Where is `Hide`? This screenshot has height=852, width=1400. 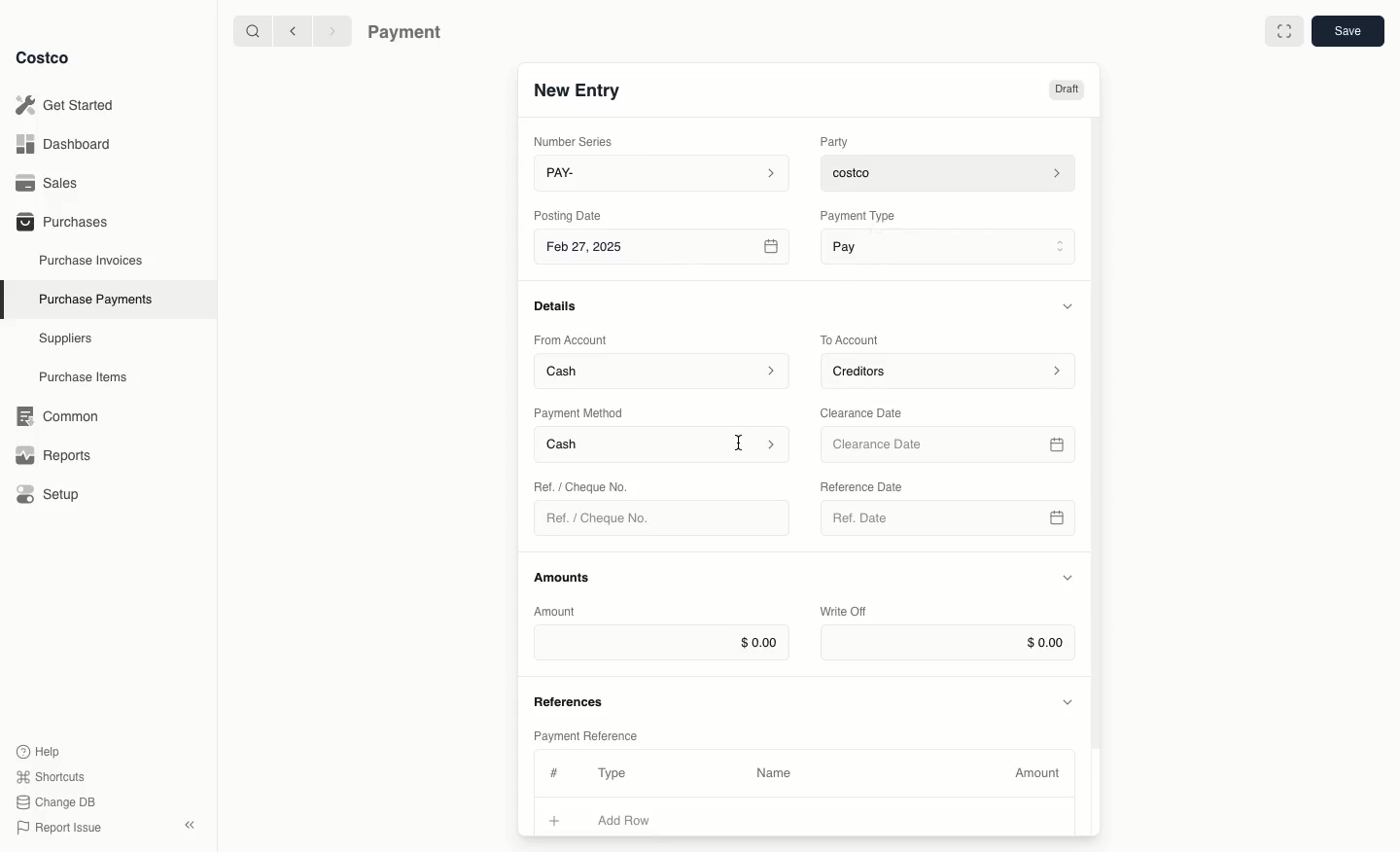 Hide is located at coordinates (1067, 579).